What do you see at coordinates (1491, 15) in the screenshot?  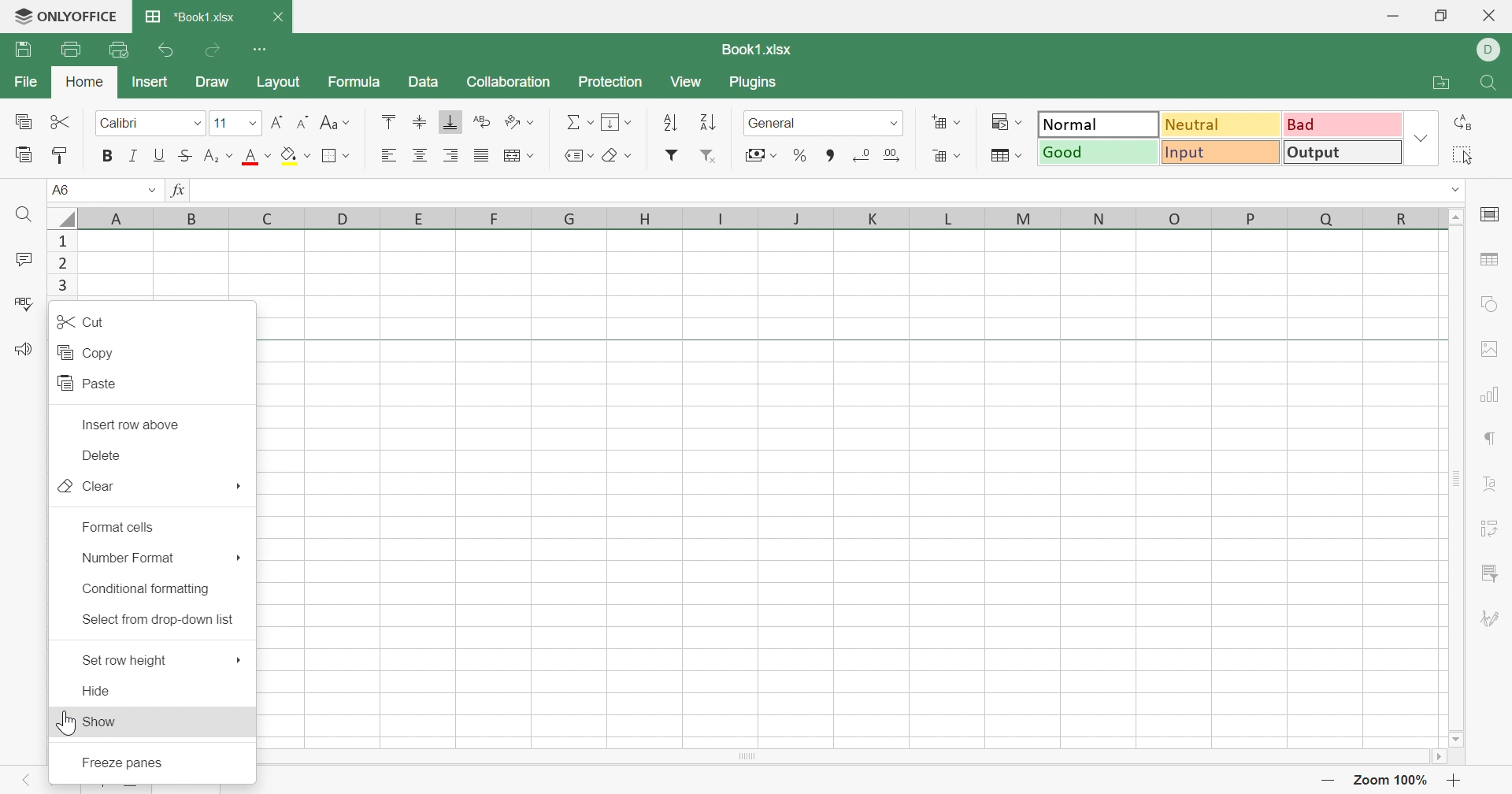 I see `Close` at bounding box center [1491, 15].